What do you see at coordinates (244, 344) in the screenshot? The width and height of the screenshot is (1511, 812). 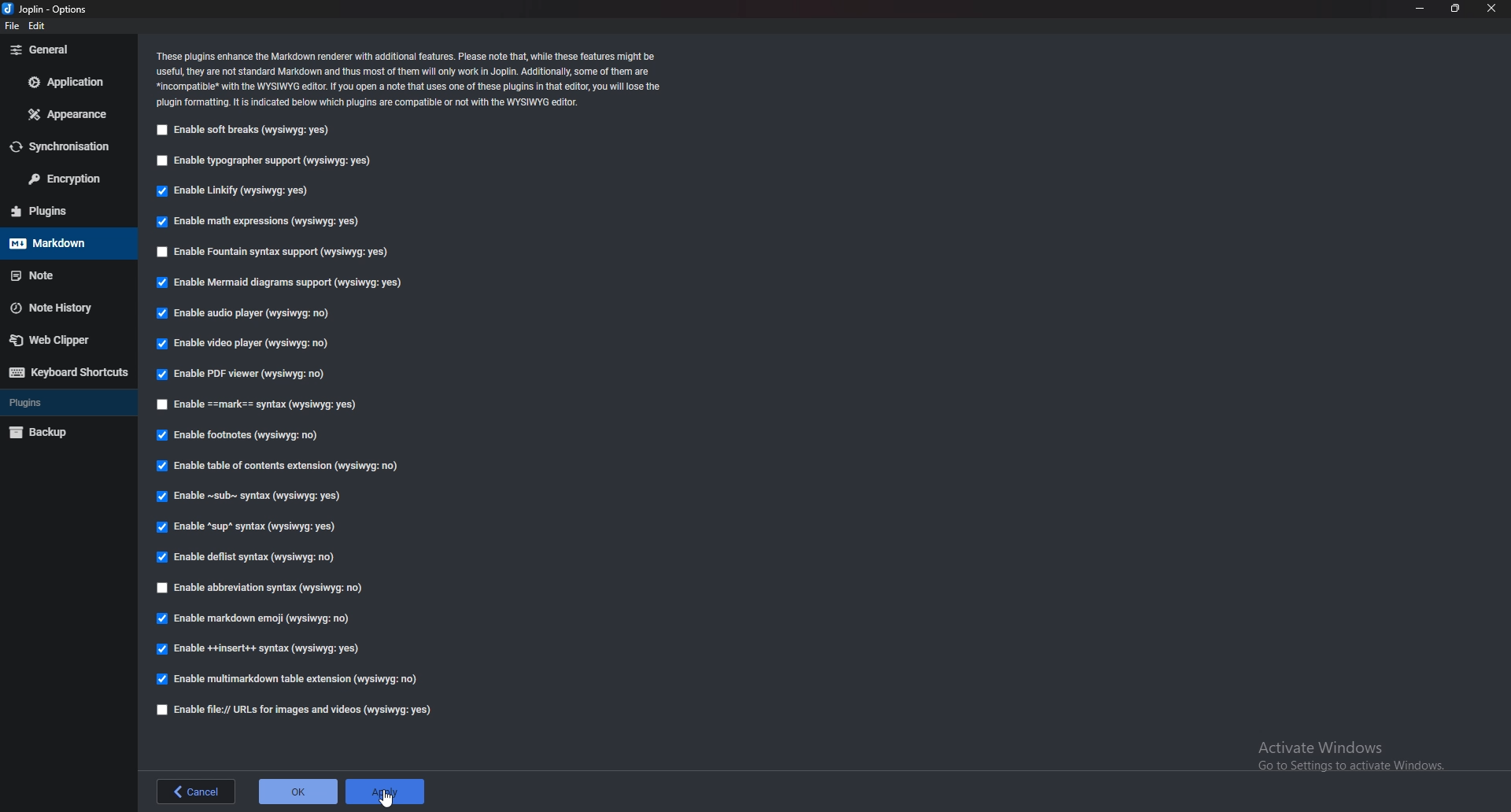 I see `Enable video player` at bounding box center [244, 344].